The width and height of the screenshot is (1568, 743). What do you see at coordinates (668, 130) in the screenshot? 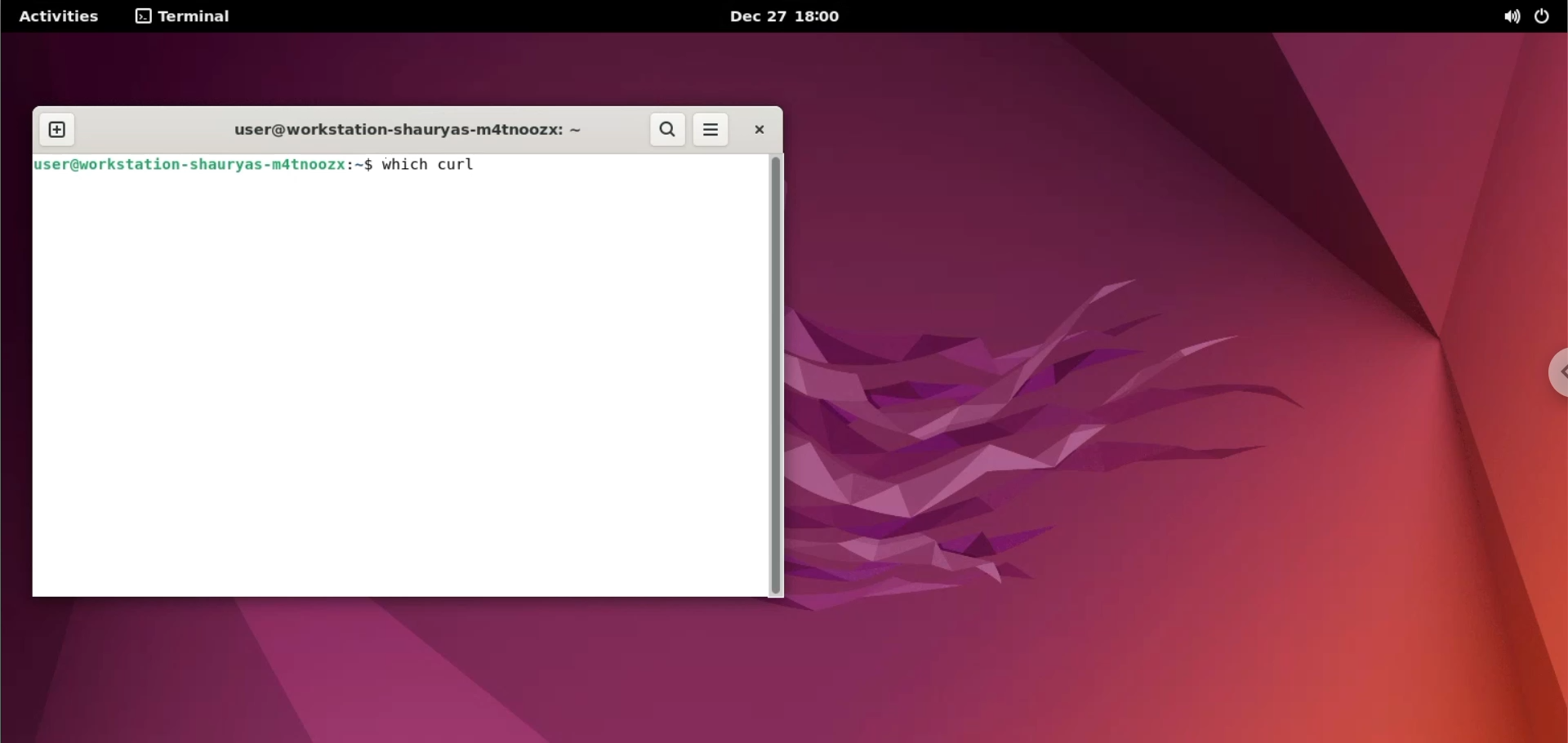
I see `search` at bounding box center [668, 130].